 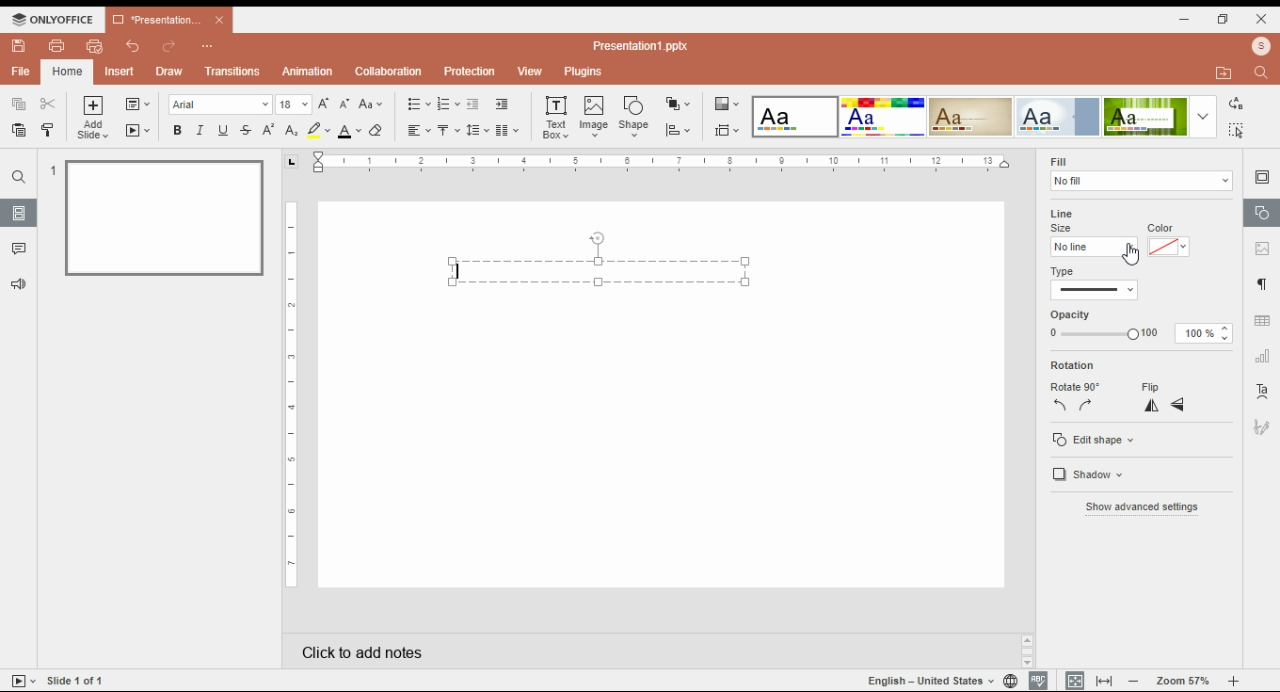 What do you see at coordinates (55, 46) in the screenshot?
I see `print file` at bounding box center [55, 46].